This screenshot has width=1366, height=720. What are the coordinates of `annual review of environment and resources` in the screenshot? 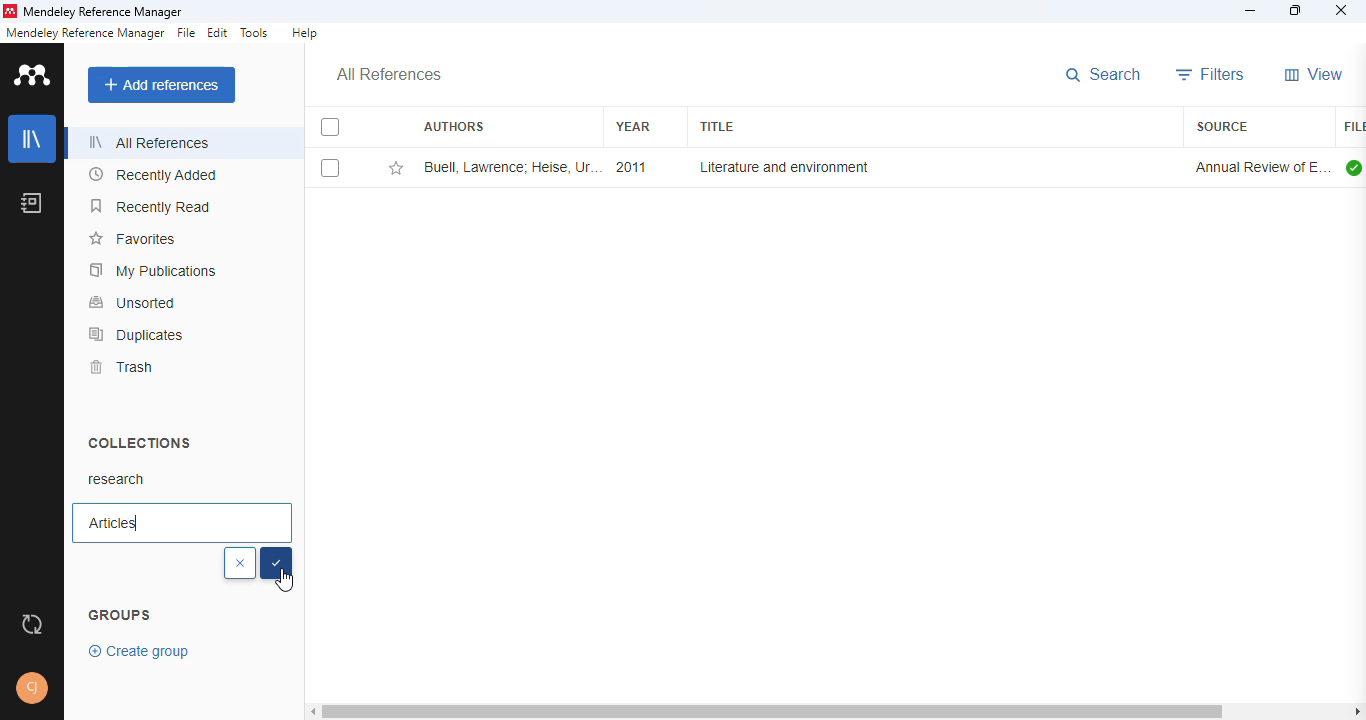 It's located at (1261, 167).